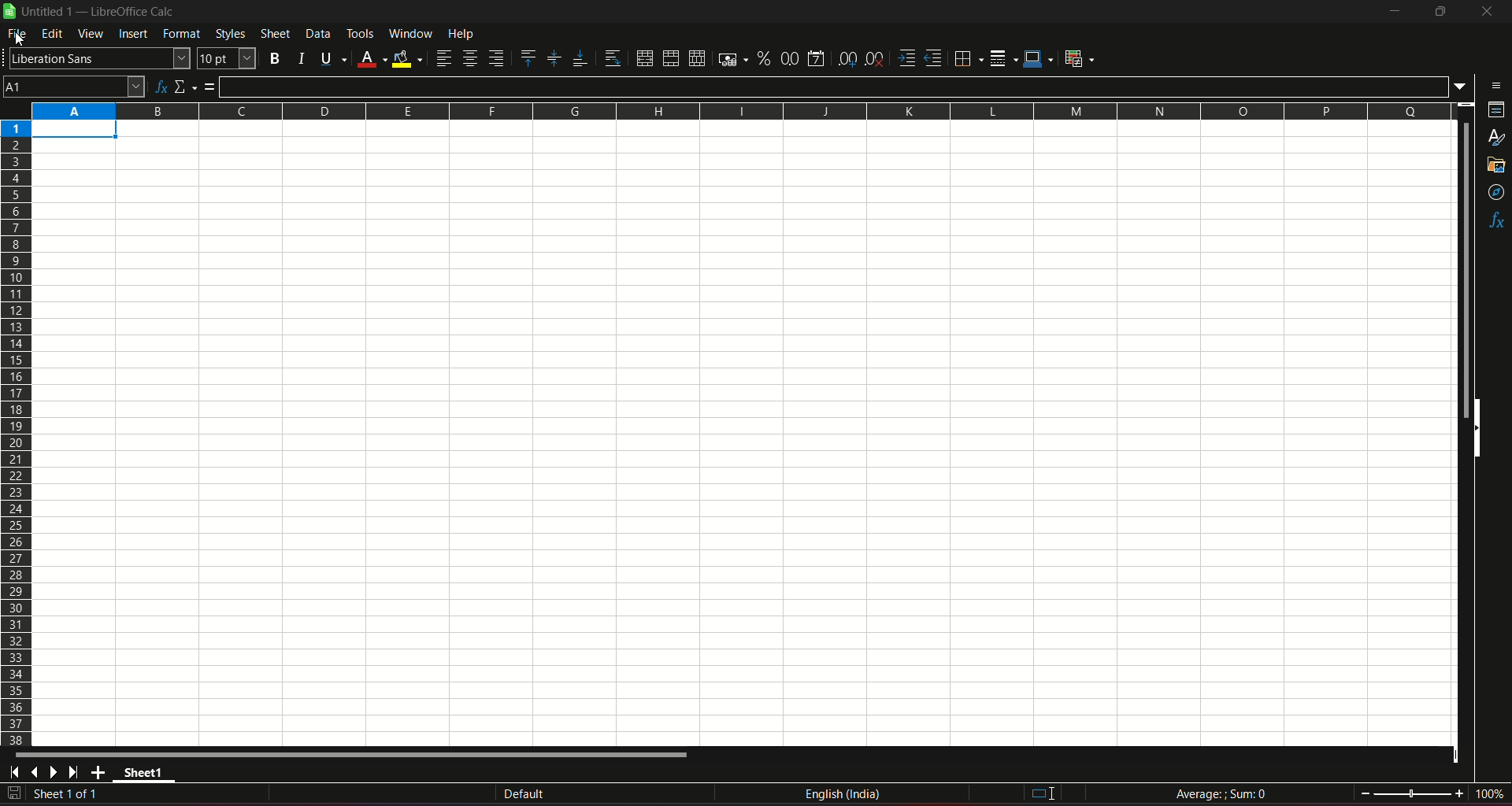  Describe the element at coordinates (906, 57) in the screenshot. I see `increase indent` at that location.